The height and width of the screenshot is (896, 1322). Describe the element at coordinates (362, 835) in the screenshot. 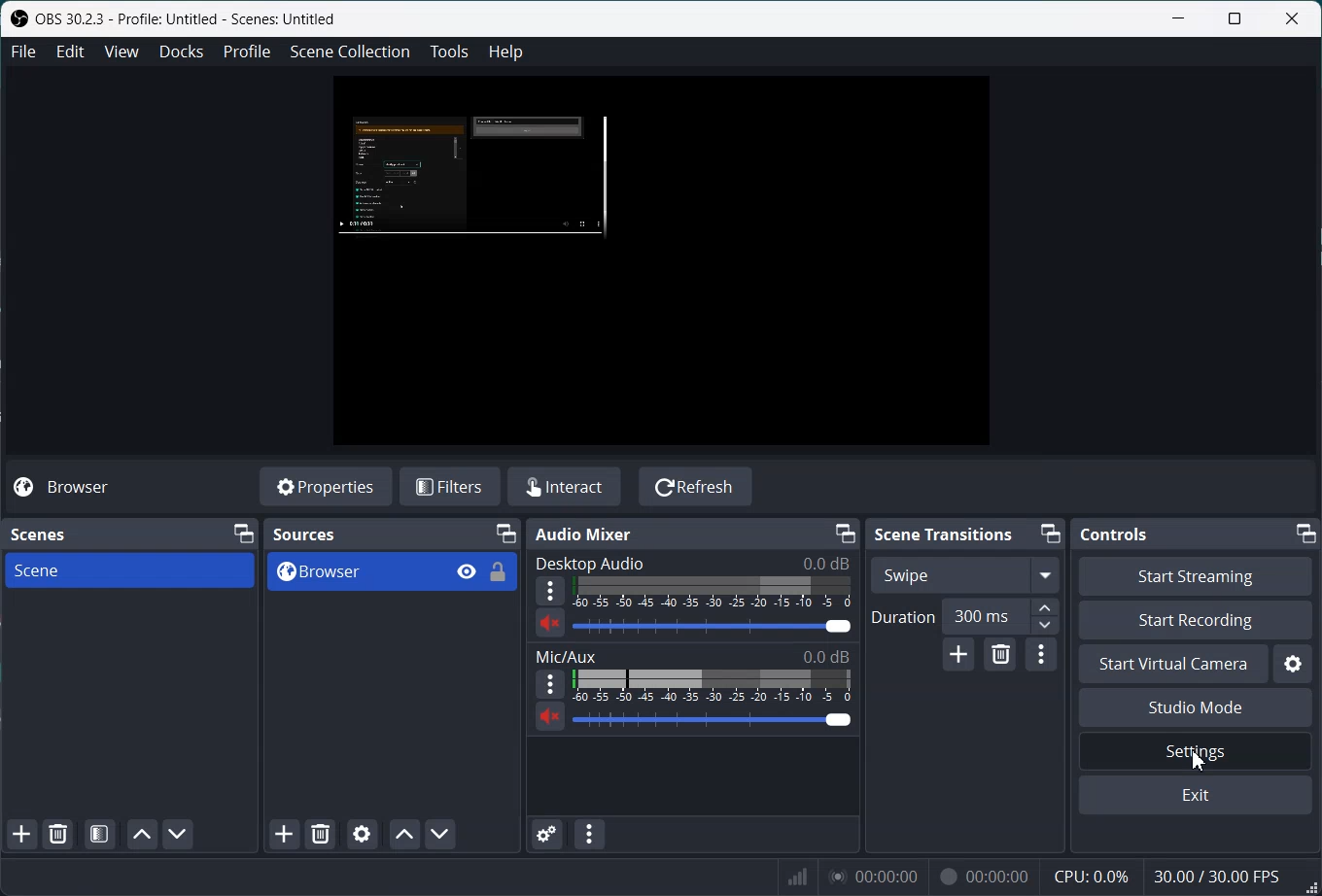

I see `Open source Properties` at that location.